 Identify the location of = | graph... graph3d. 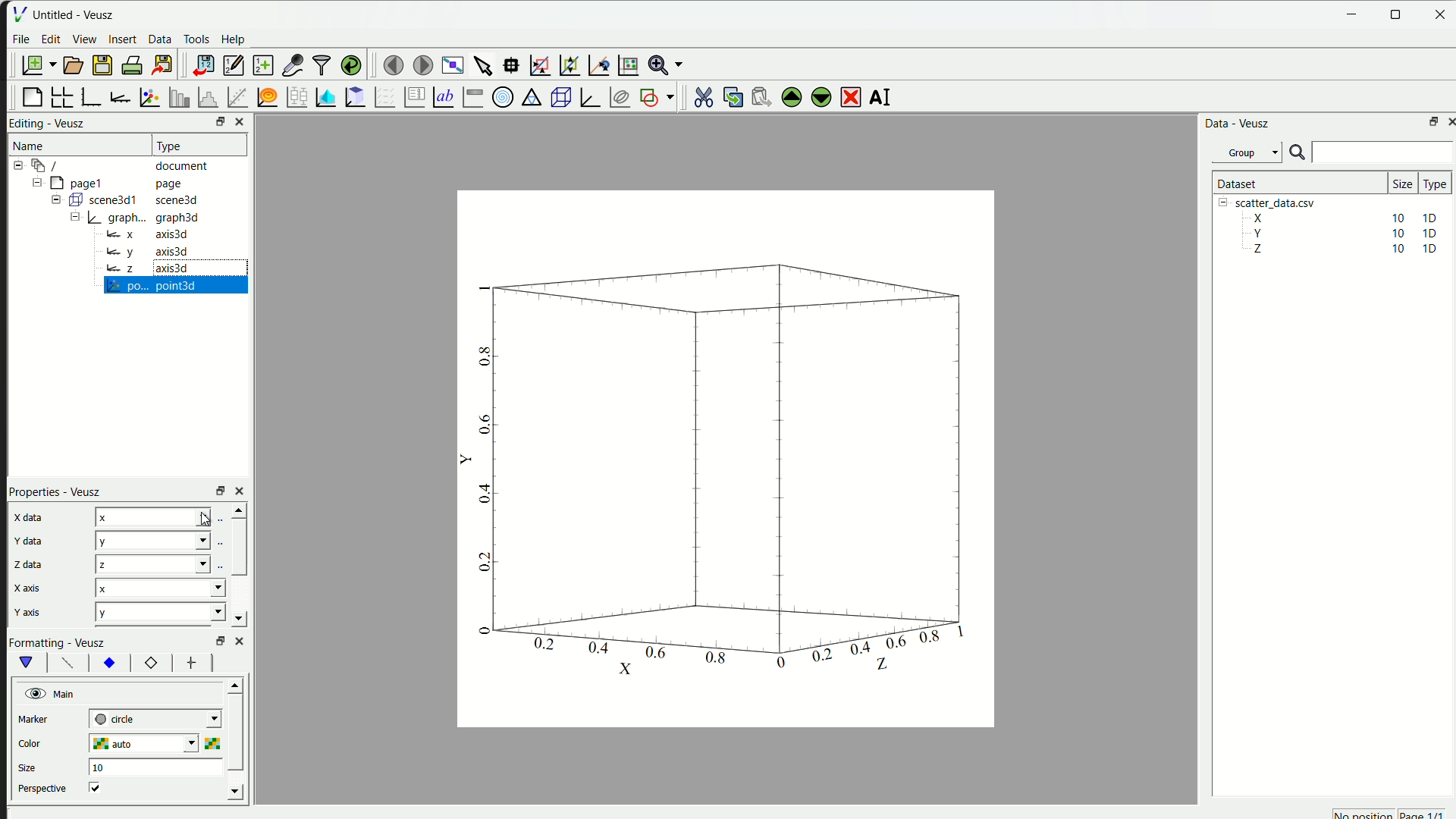
(142, 218).